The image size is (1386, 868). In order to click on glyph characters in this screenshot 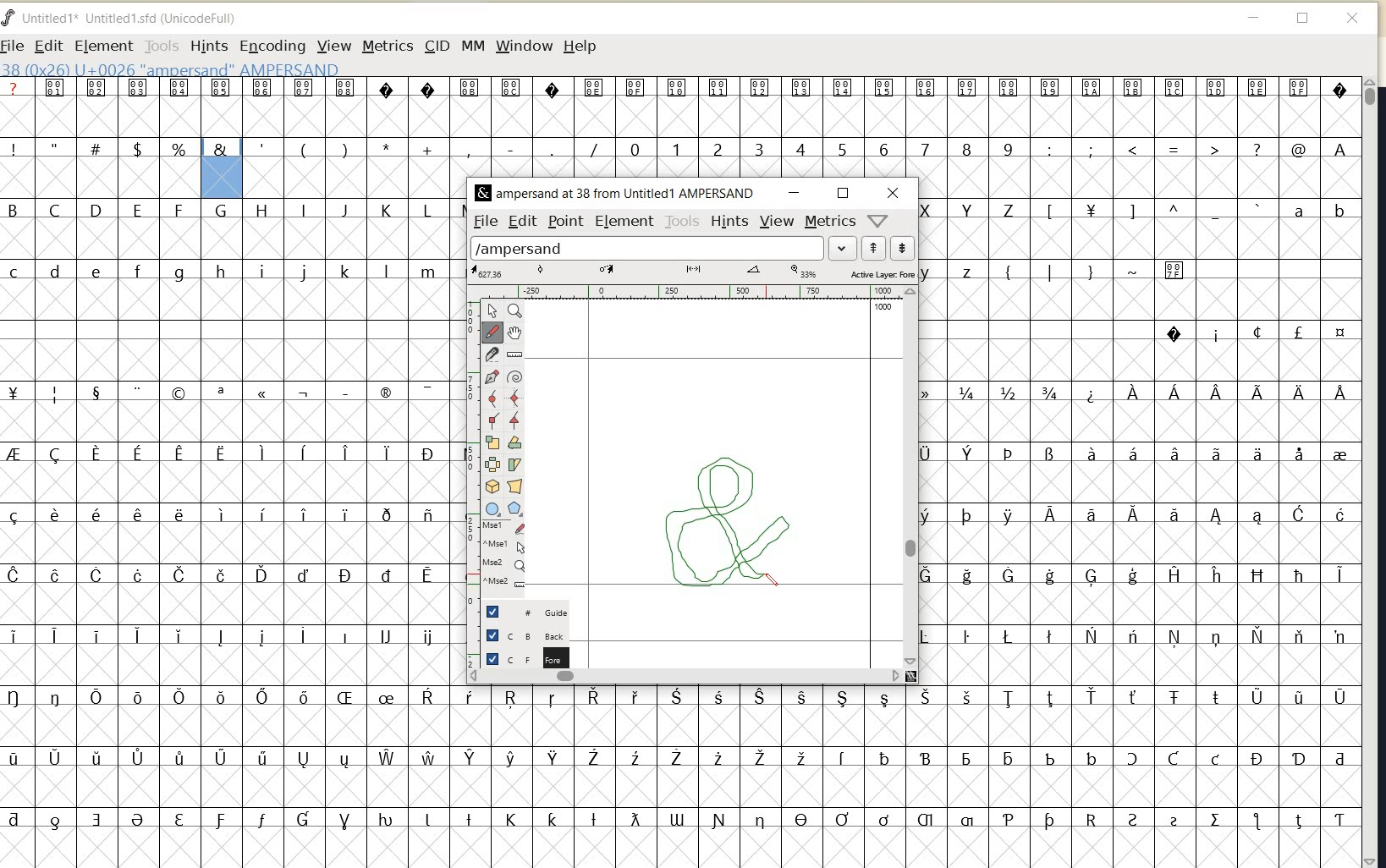, I will do `click(98, 465)`.